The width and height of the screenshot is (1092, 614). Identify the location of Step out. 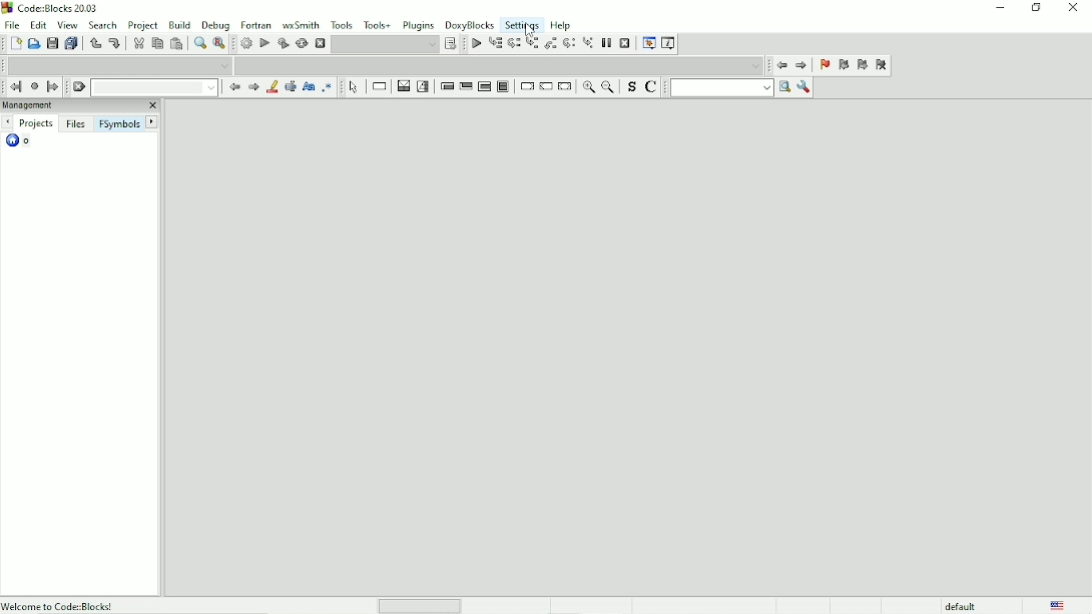
(550, 43).